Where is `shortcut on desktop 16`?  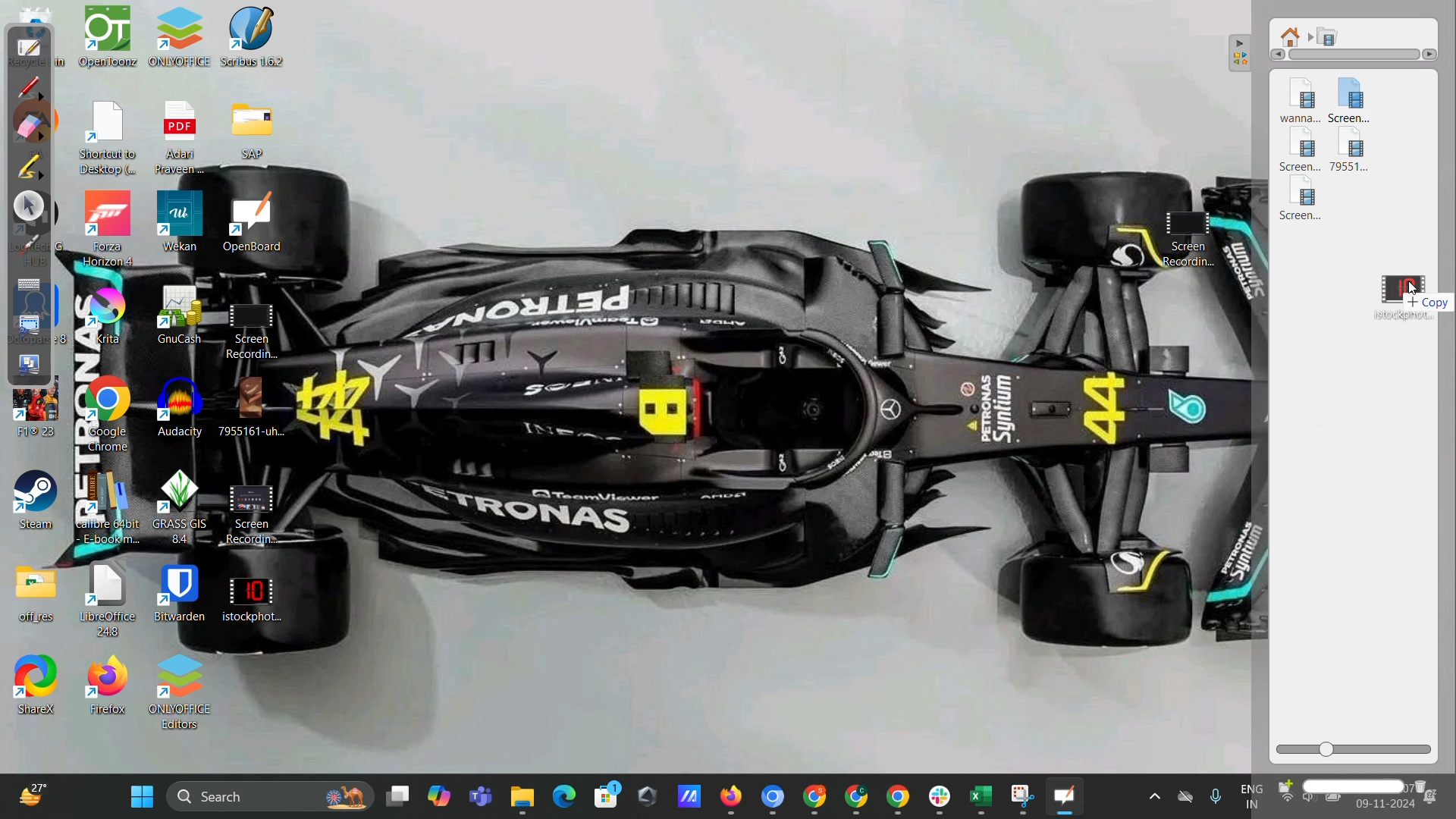
shortcut on desktop 16 is located at coordinates (37, 502).